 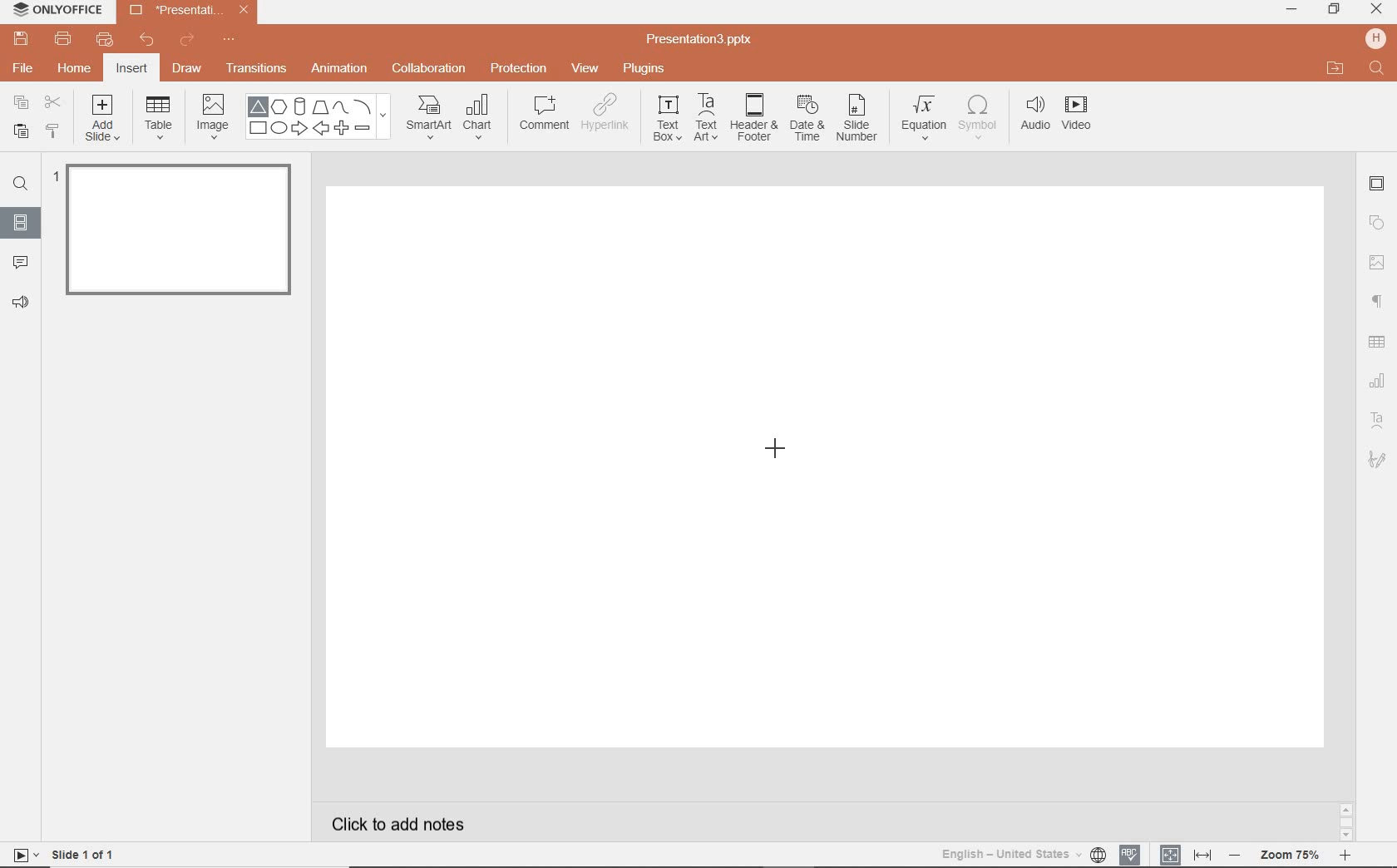 What do you see at coordinates (925, 121) in the screenshot?
I see `EQUATION` at bounding box center [925, 121].